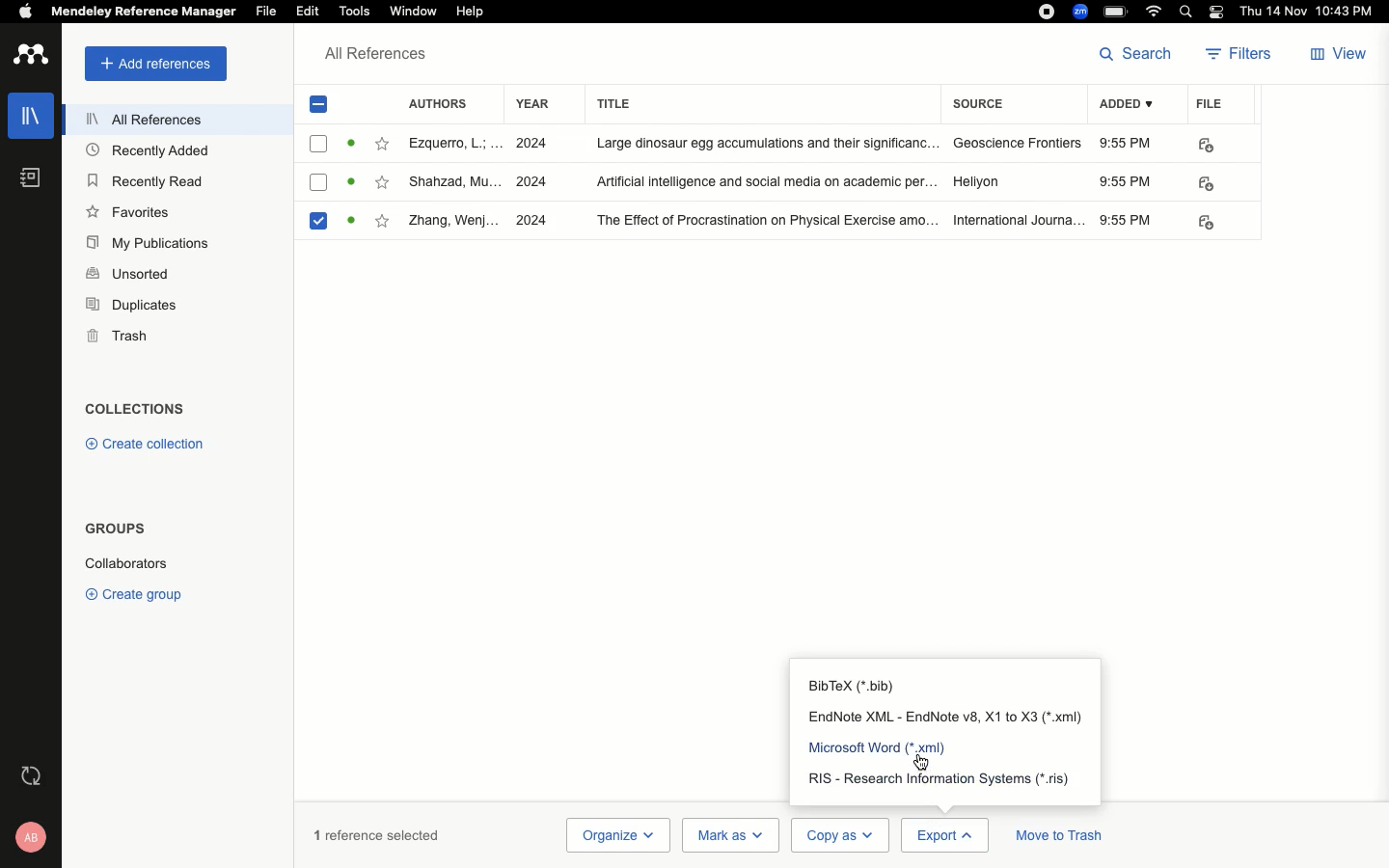 The height and width of the screenshot is (868, 1389). Describe the element at coordinates (25, 12) in the screenshot. I see `Apple logo` at that location.